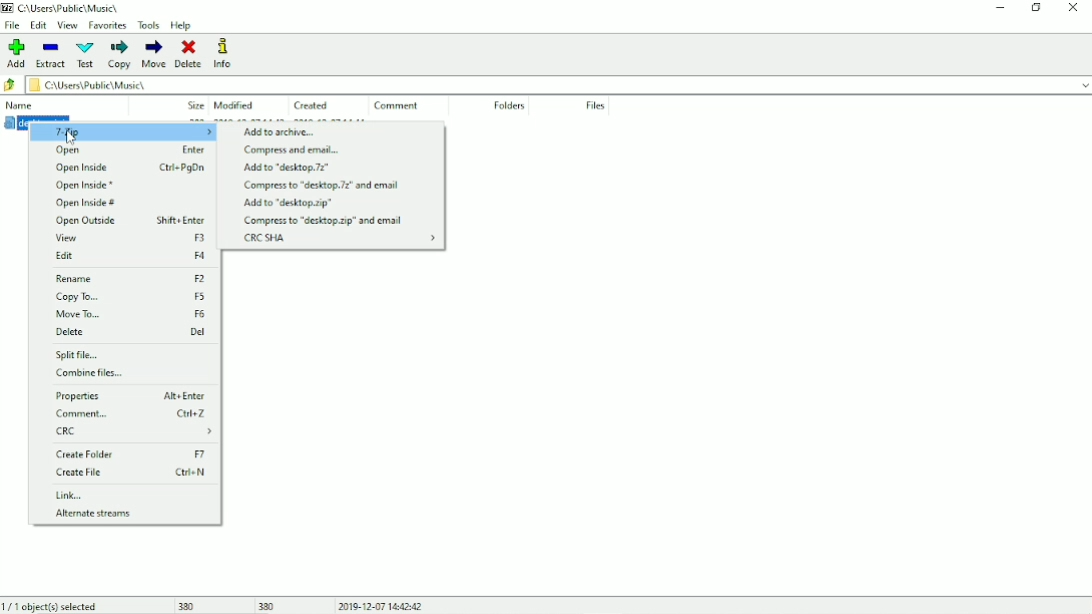 Image resolution: width=1092 pixels, height=614 pixels. Describe the element at coordinates (130, 297) in the screenshot. I see `Copy To` at that location.